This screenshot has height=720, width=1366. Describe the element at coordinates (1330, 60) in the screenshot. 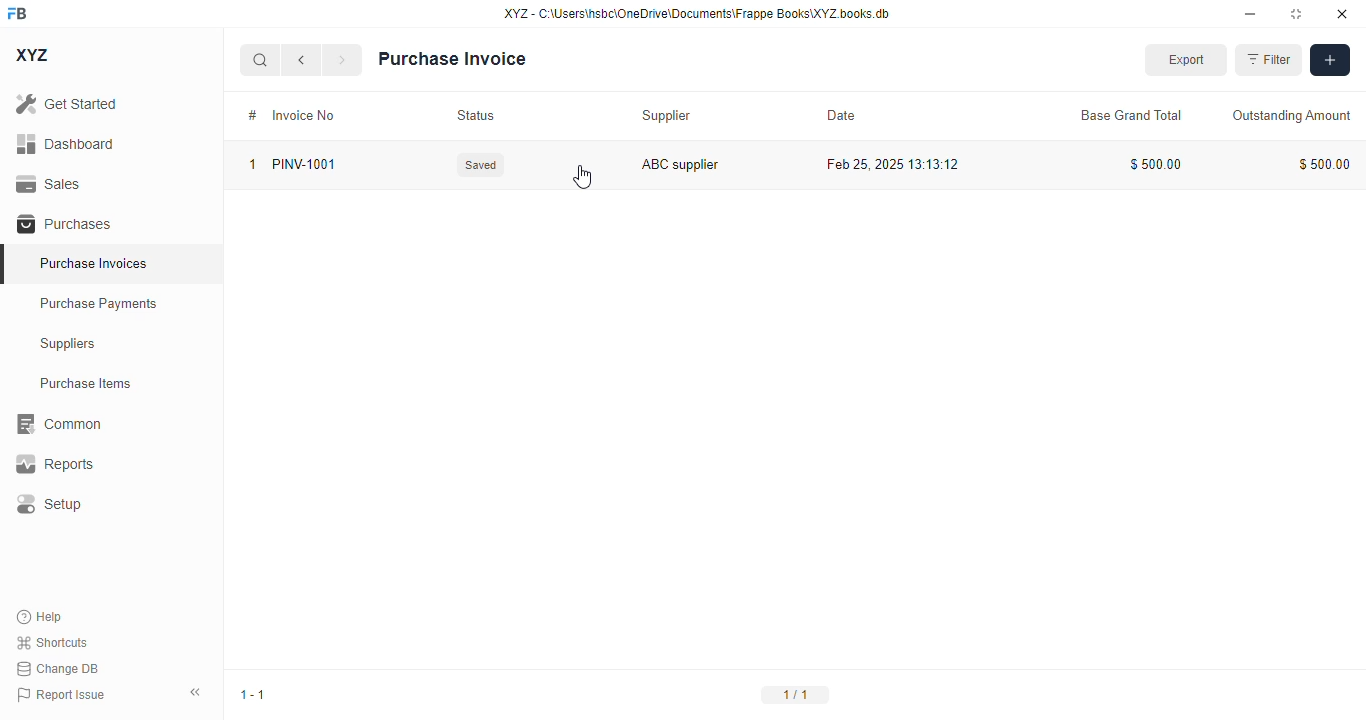

I see `add` at that location.